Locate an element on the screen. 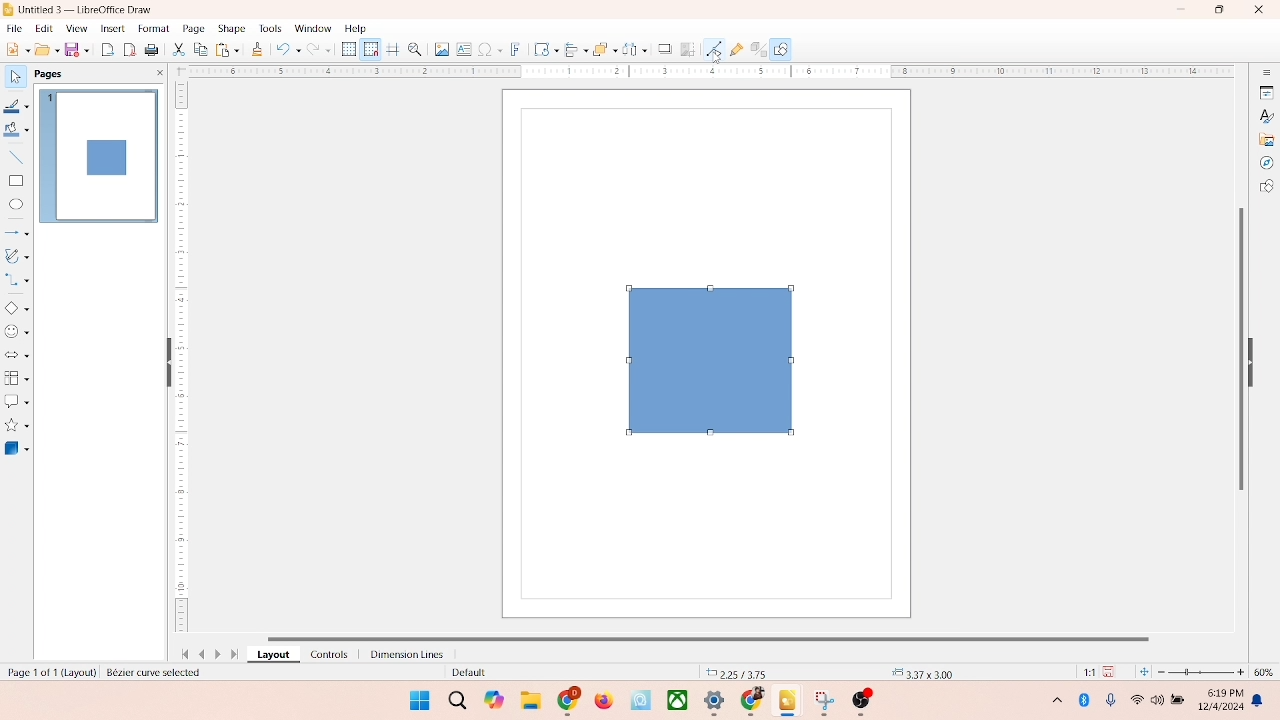 The image size is (1280, 720). insert is located at coordinates (111, 28).